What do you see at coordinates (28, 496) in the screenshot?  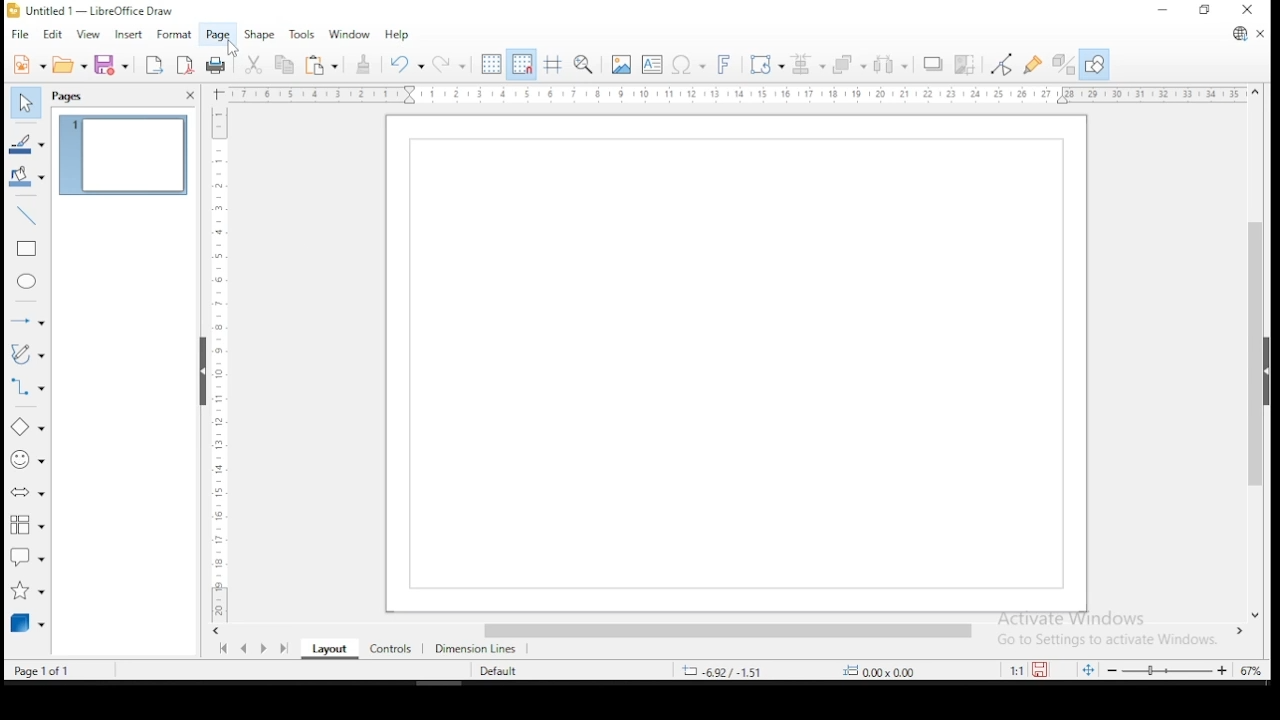 I see `block arrows` at bounding box center [28, 496].